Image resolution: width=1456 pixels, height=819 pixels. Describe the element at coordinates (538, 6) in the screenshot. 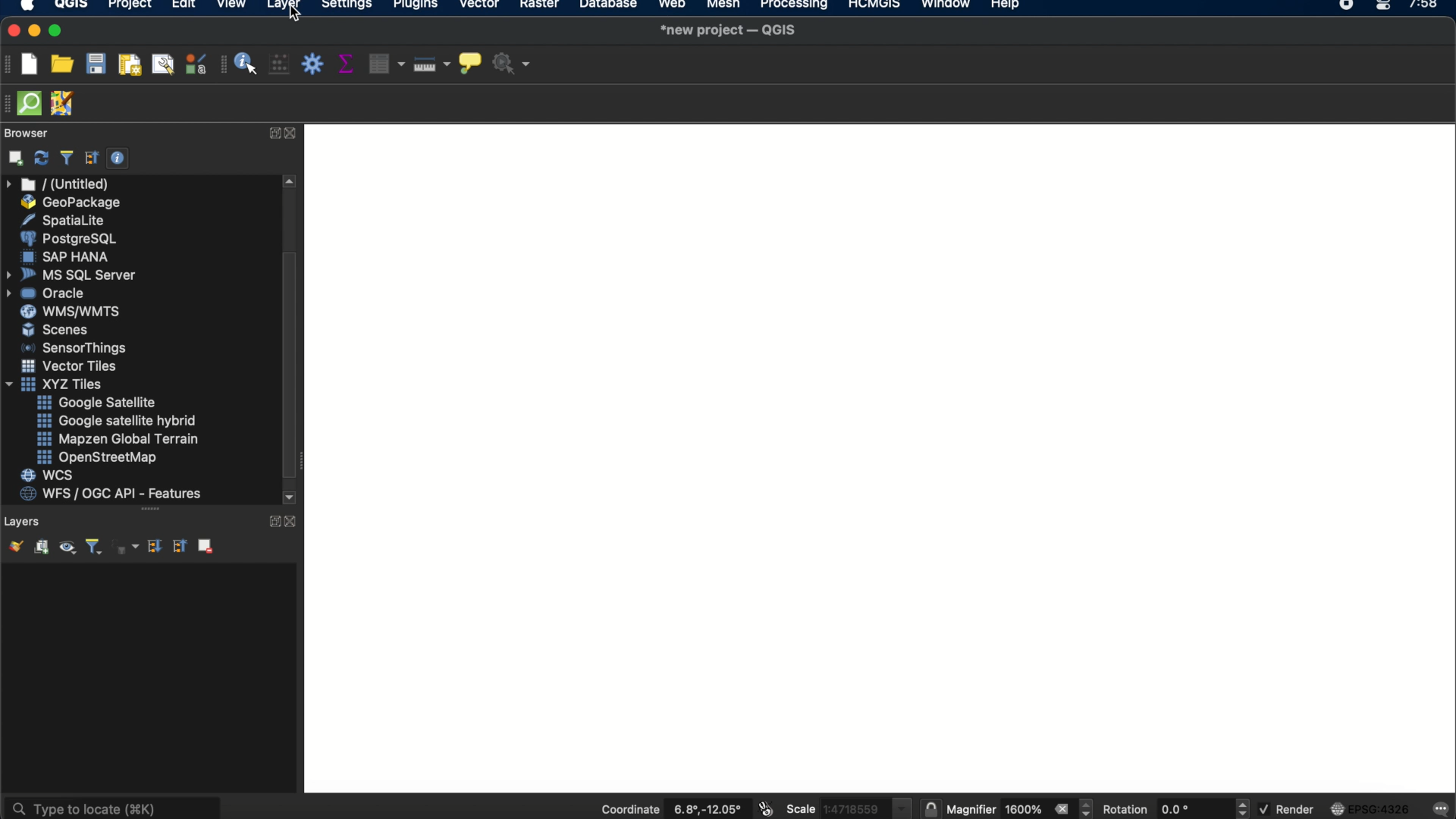

I see `raster` at that location.